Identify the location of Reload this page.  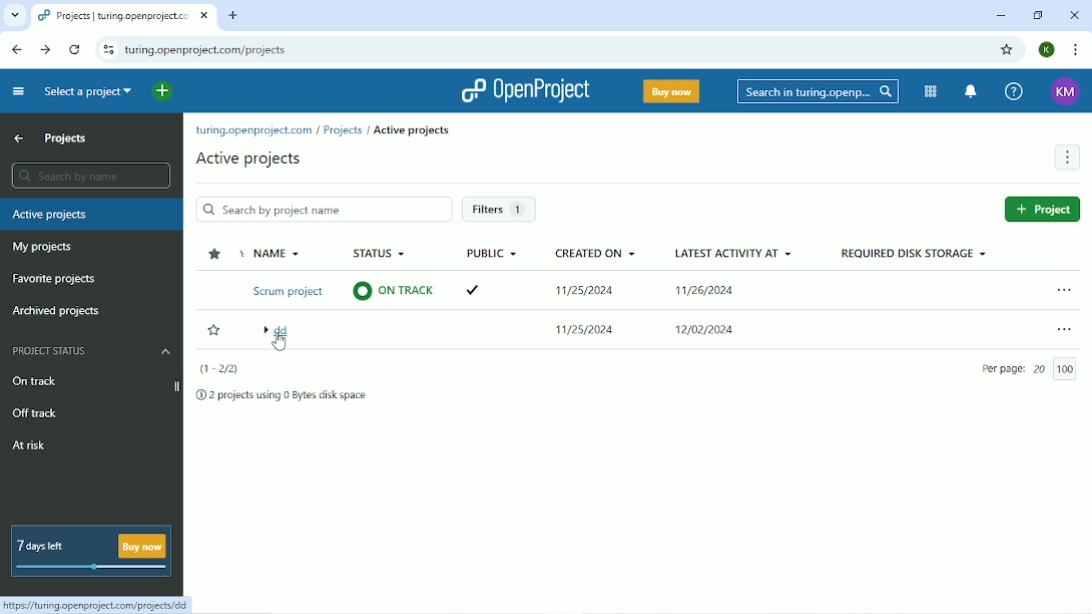
(76, 49).